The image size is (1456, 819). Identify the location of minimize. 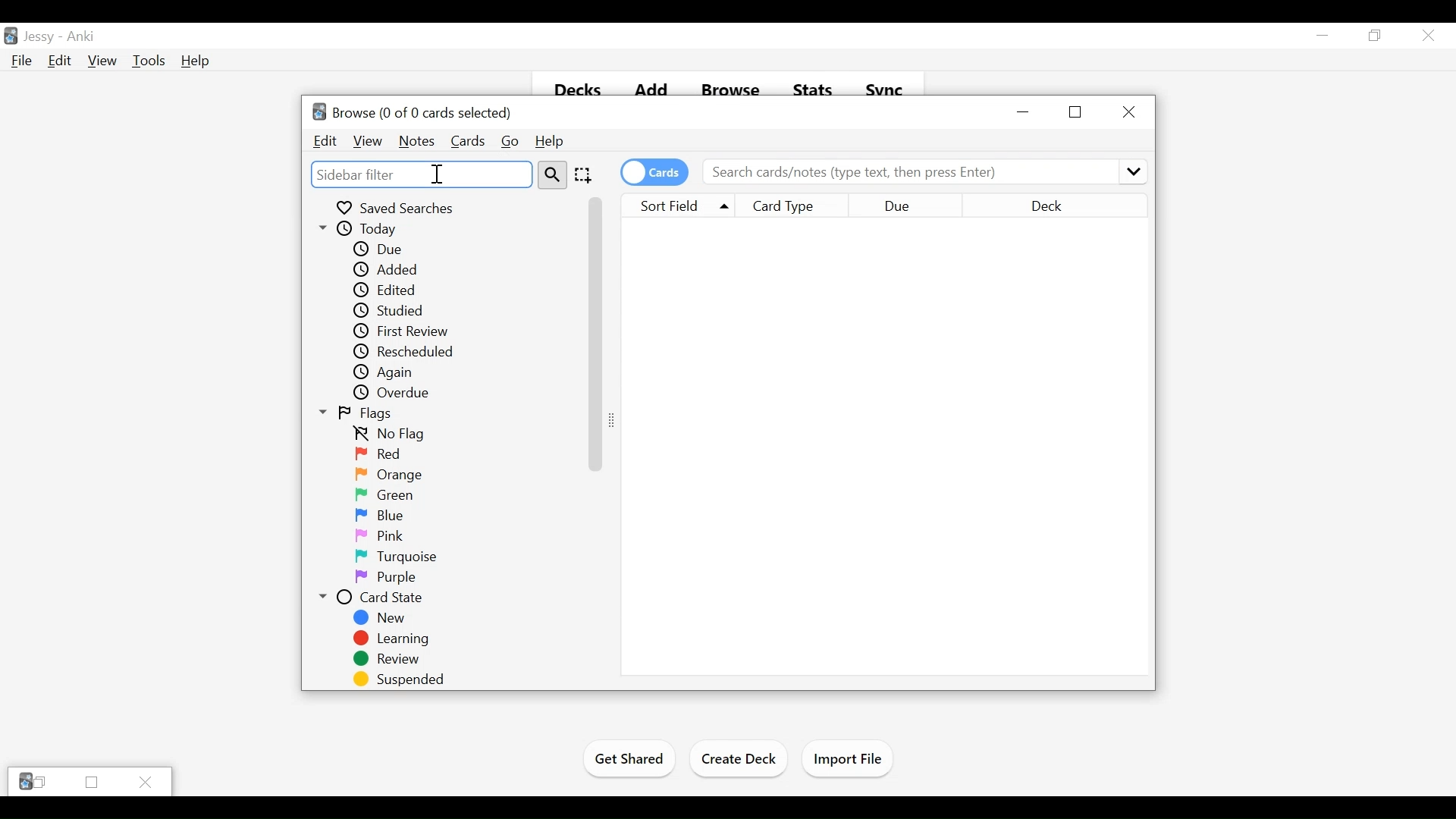
(1025, 113).